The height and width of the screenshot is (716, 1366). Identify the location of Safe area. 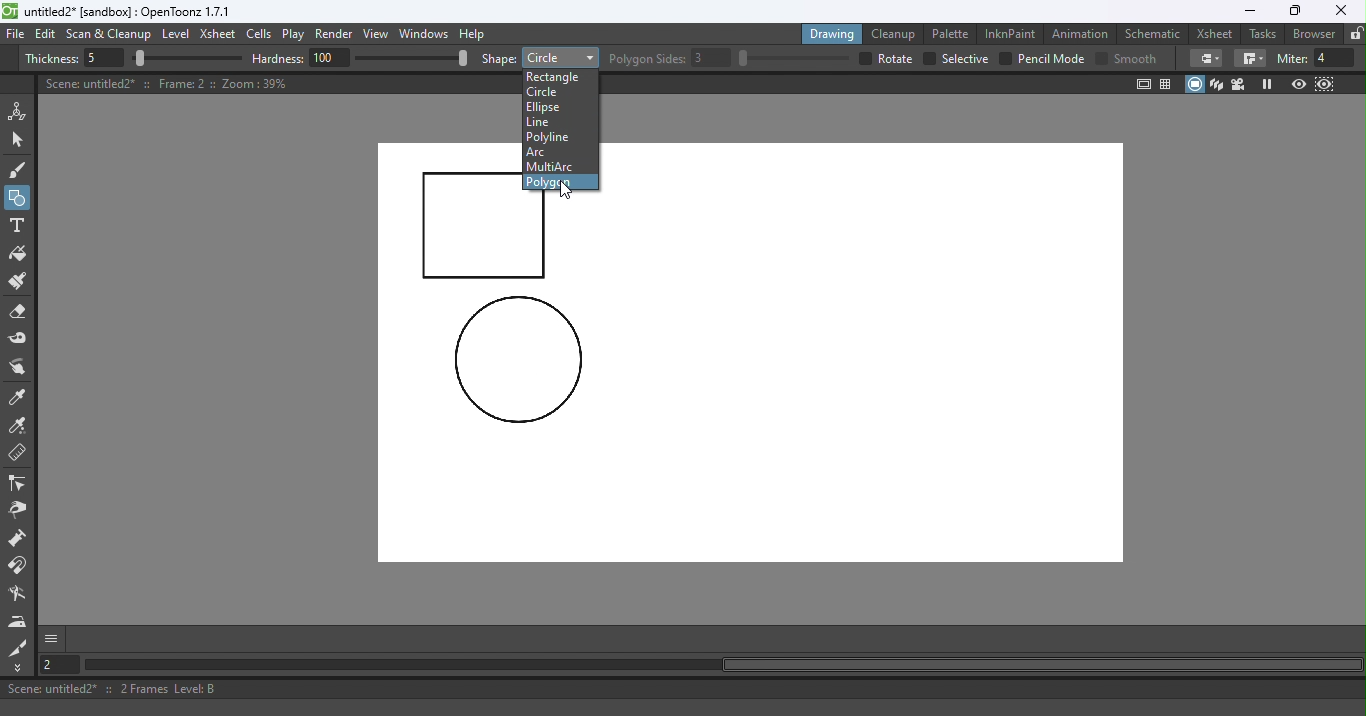
(1142, 84).